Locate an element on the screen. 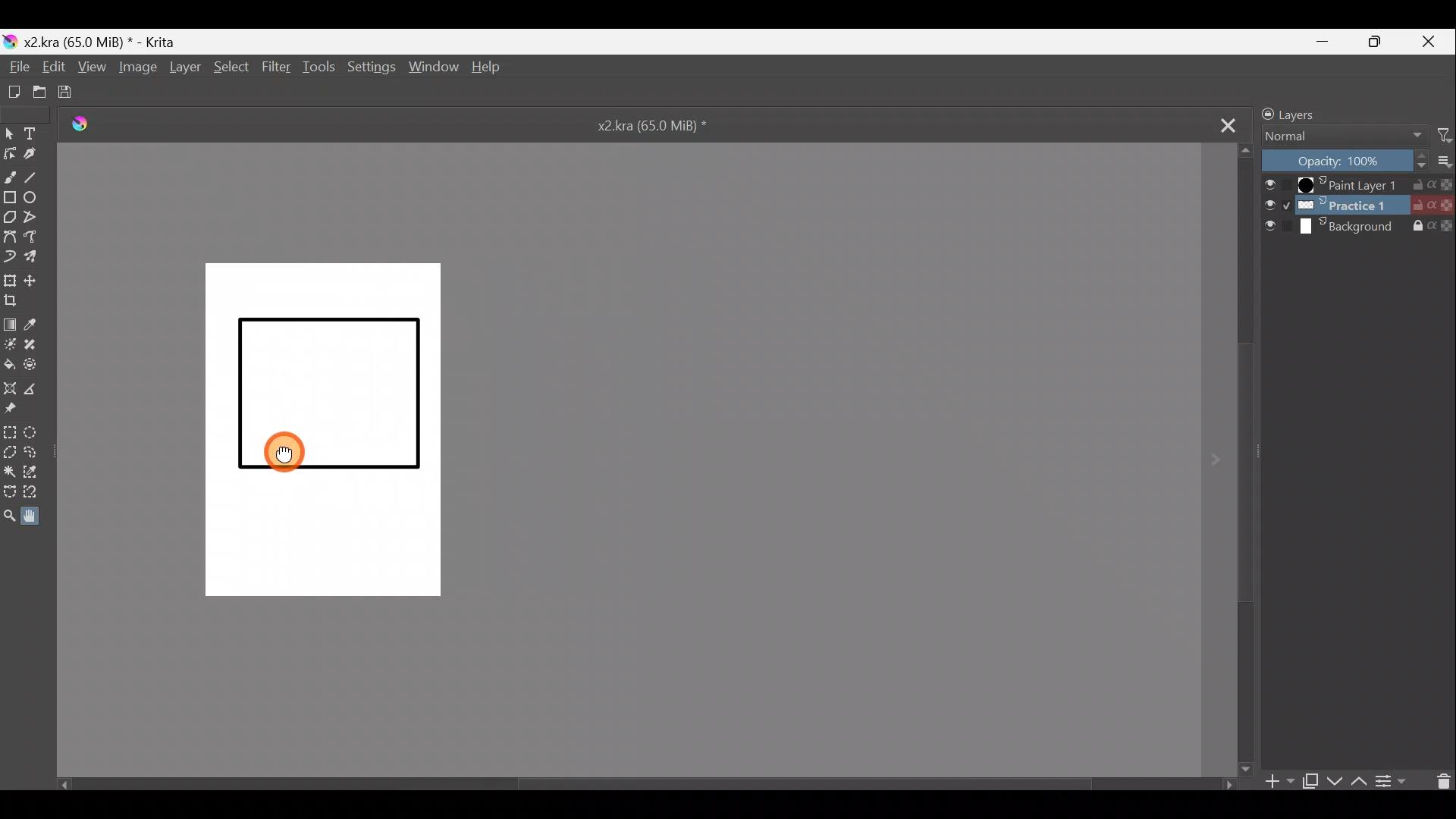  Transform a layer/selection is located at coordinates (9, 279).